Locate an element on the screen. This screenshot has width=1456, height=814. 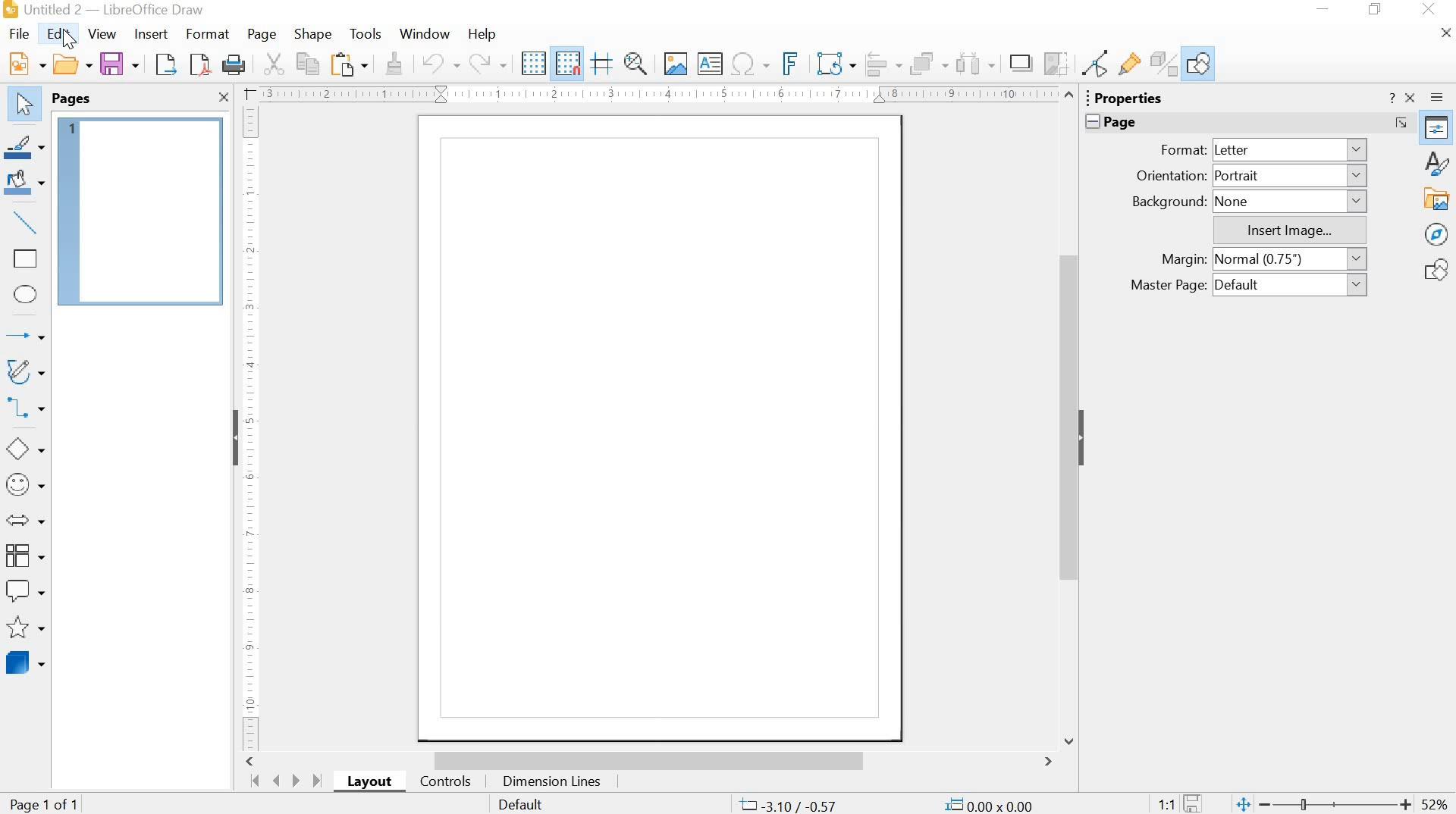
Normal (0.75") is located at coordinates (1290, 259).